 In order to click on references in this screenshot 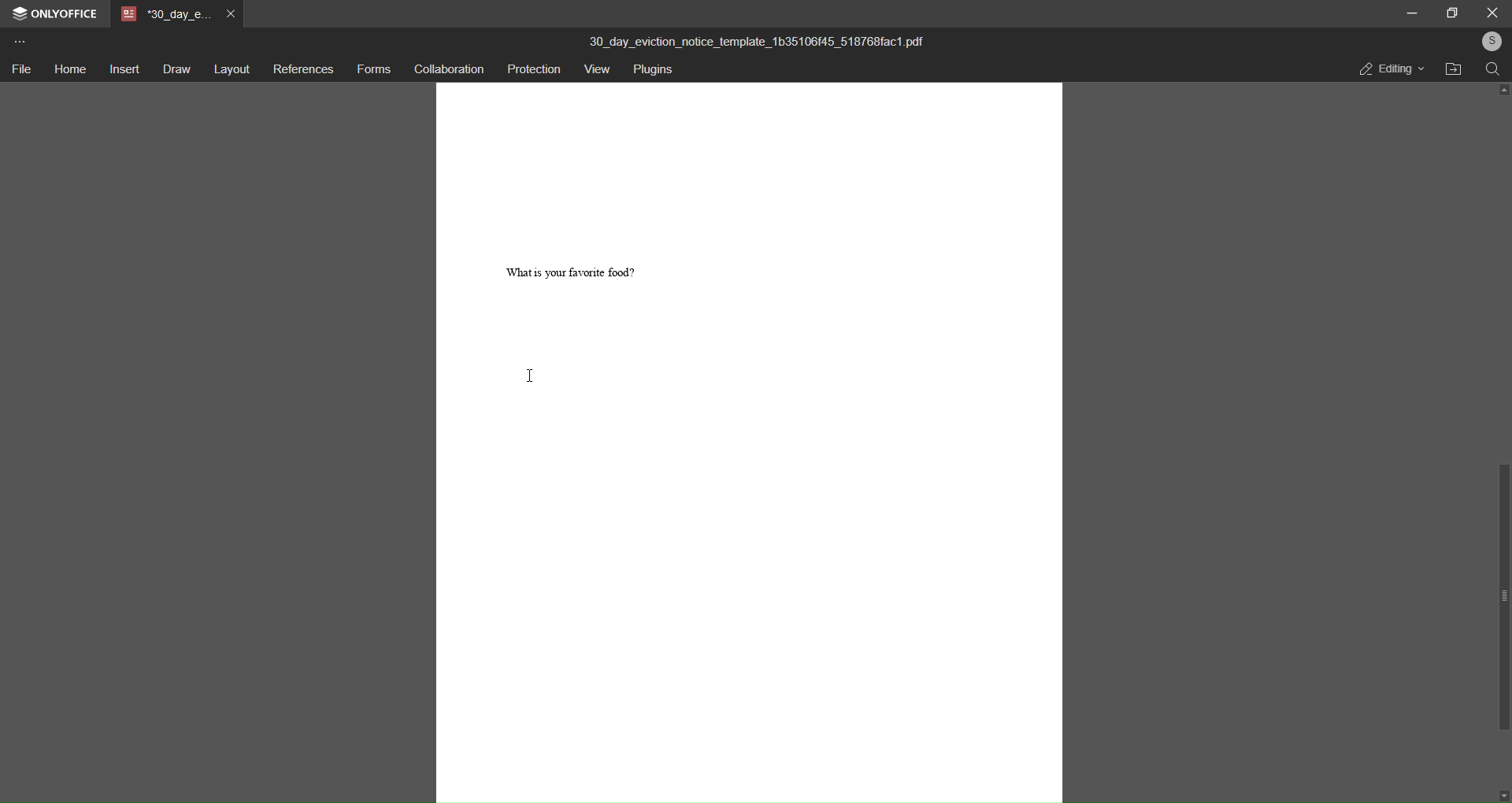, I will do `click(301, 69)`.